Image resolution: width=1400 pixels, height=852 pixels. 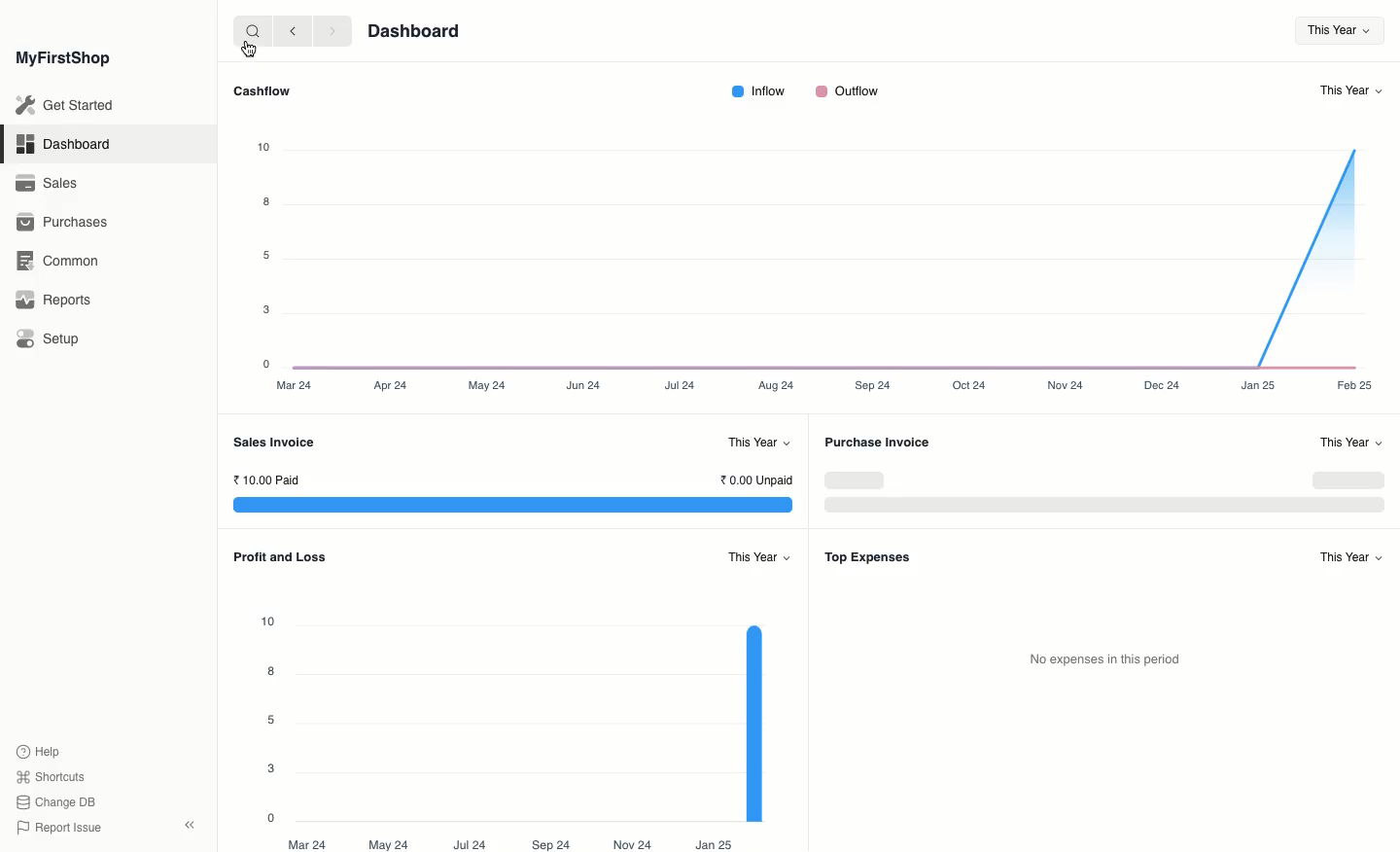 What do you see at coordinates (417, 32) in the screenshot?
I see `Dashboard` at bounding box center [417, 32].